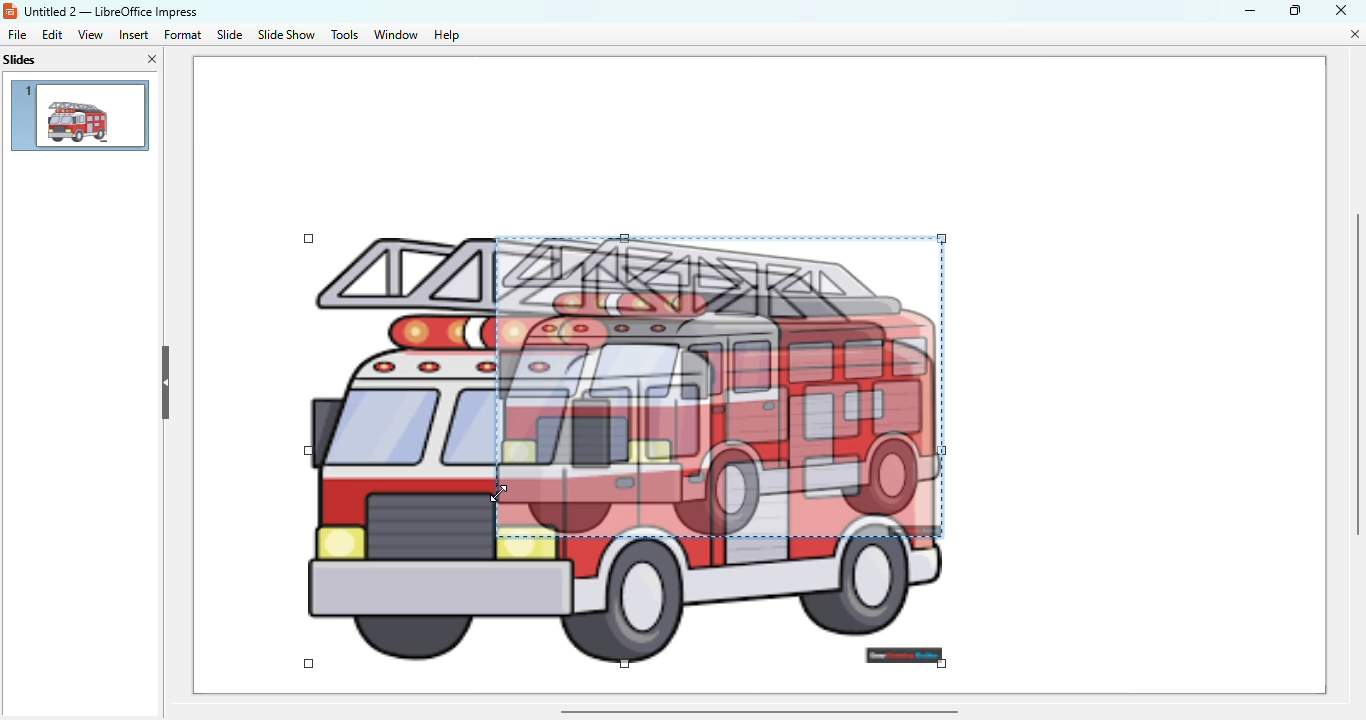  I want to click on window, so click(394, 34).